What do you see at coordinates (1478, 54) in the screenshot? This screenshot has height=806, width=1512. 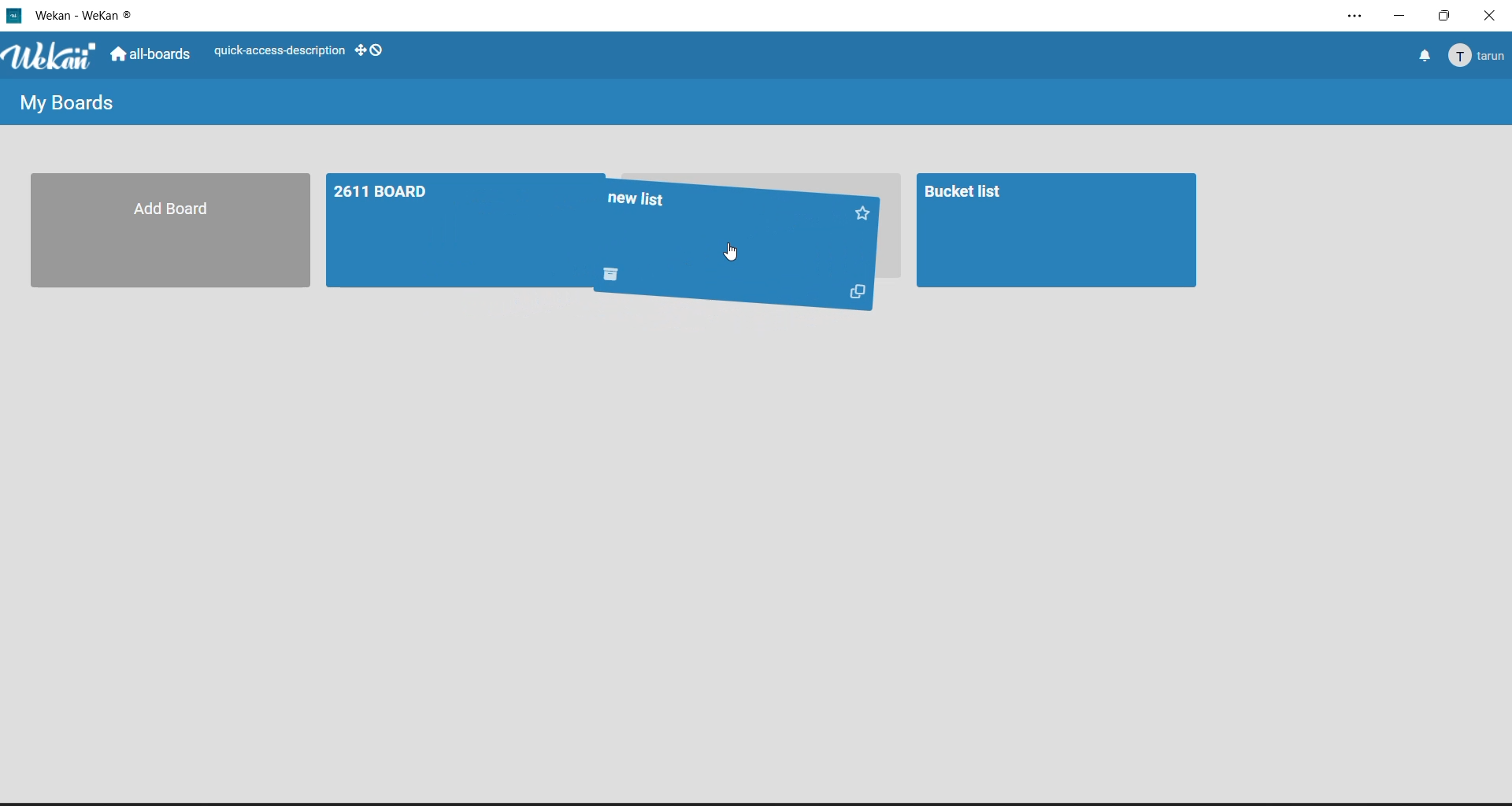 I see `tarun` at bounding box center [1478, 54].